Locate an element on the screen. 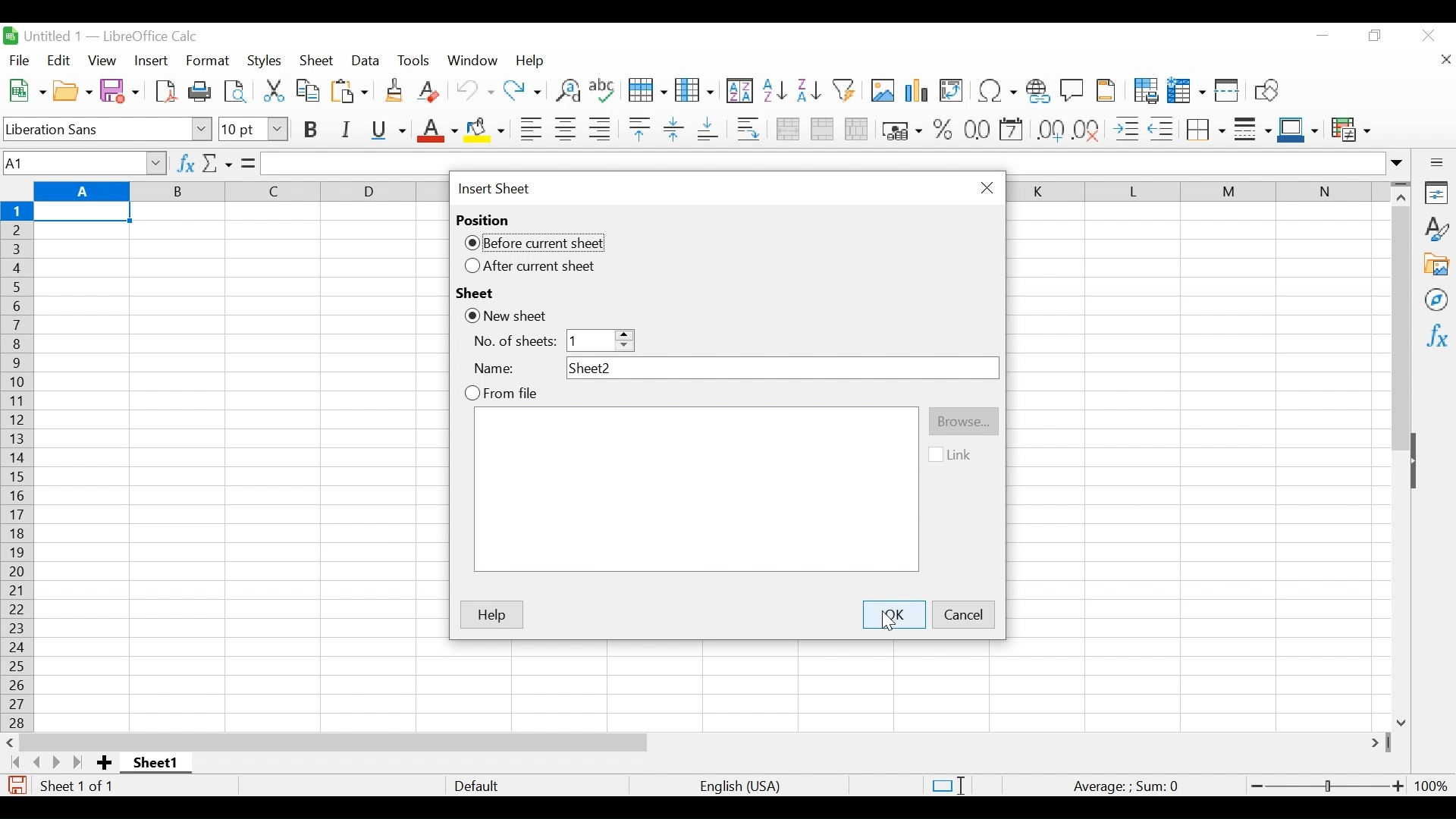 This screenshot has width=1456, height=819. Formula is located at coordinates (1131, 784).